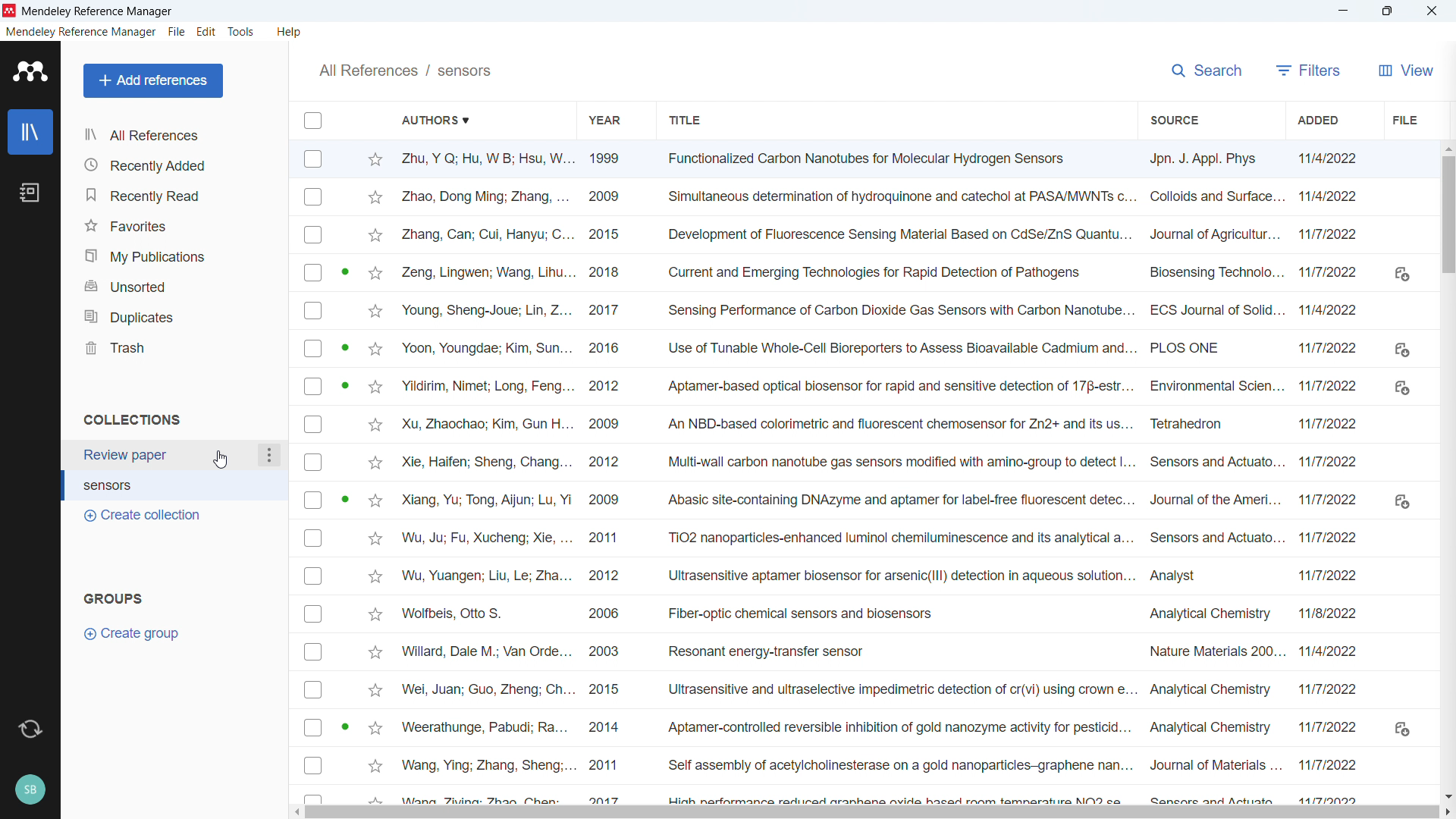 The height and width of the screenshot is (819, 1456). Describe the element at coordinates (138, 633) in the screenshot. I see `Create groups ` at that location.